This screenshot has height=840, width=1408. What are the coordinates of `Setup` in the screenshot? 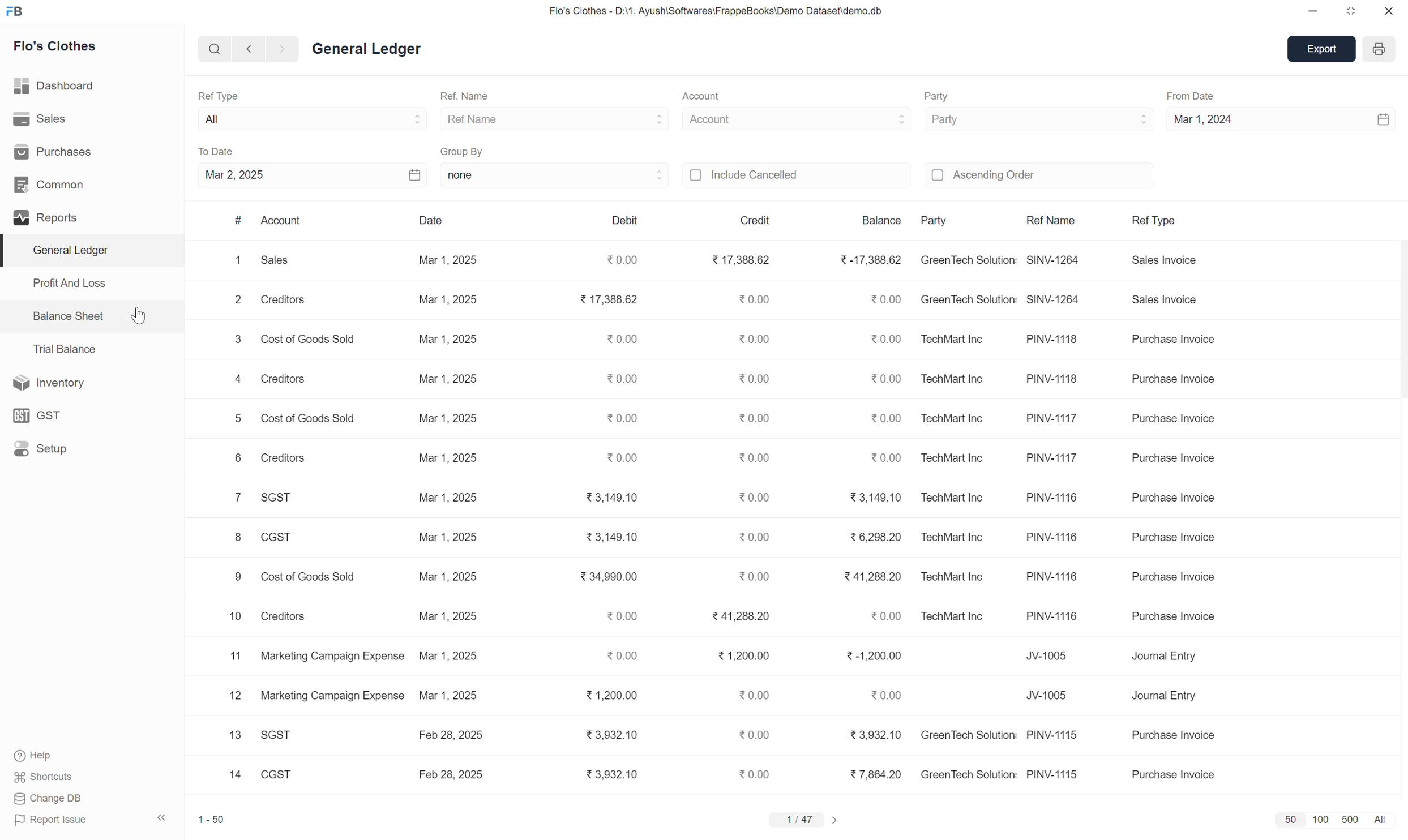 It's located at (45, 448).